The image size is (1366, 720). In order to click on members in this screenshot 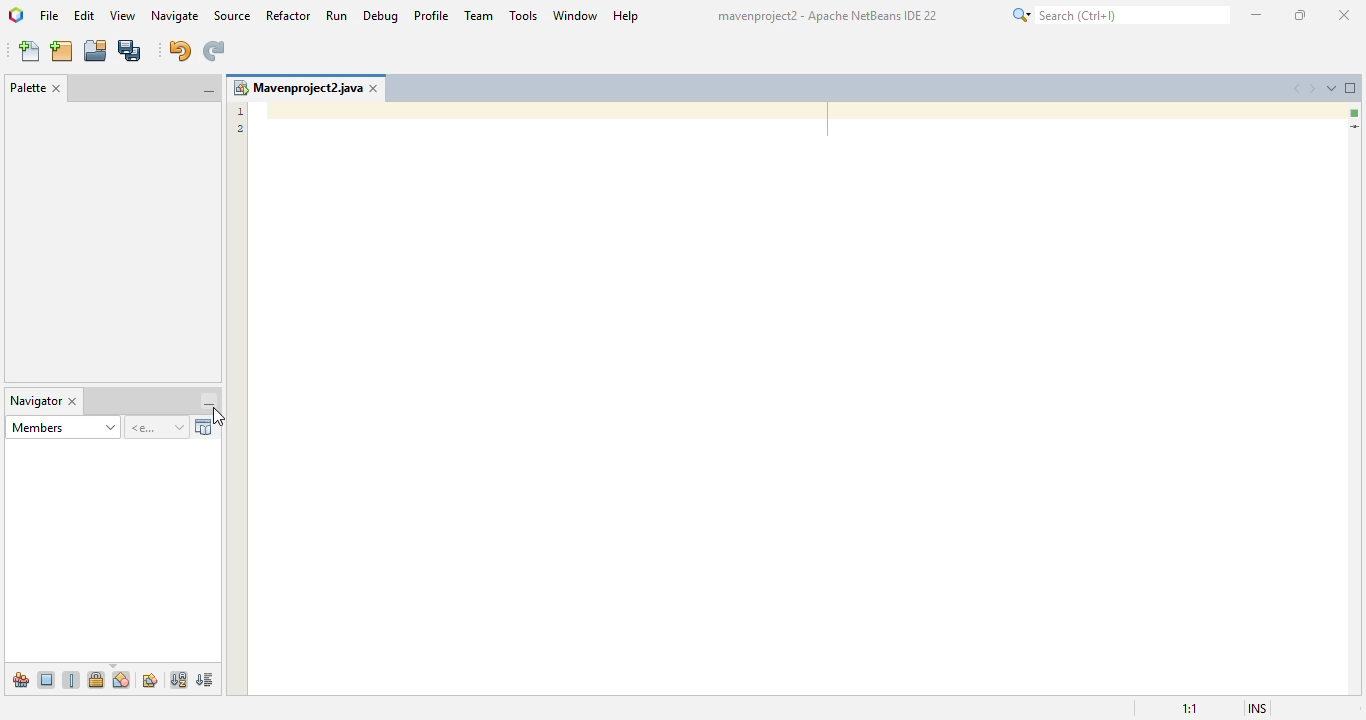, I will do `click(62, 427)`.